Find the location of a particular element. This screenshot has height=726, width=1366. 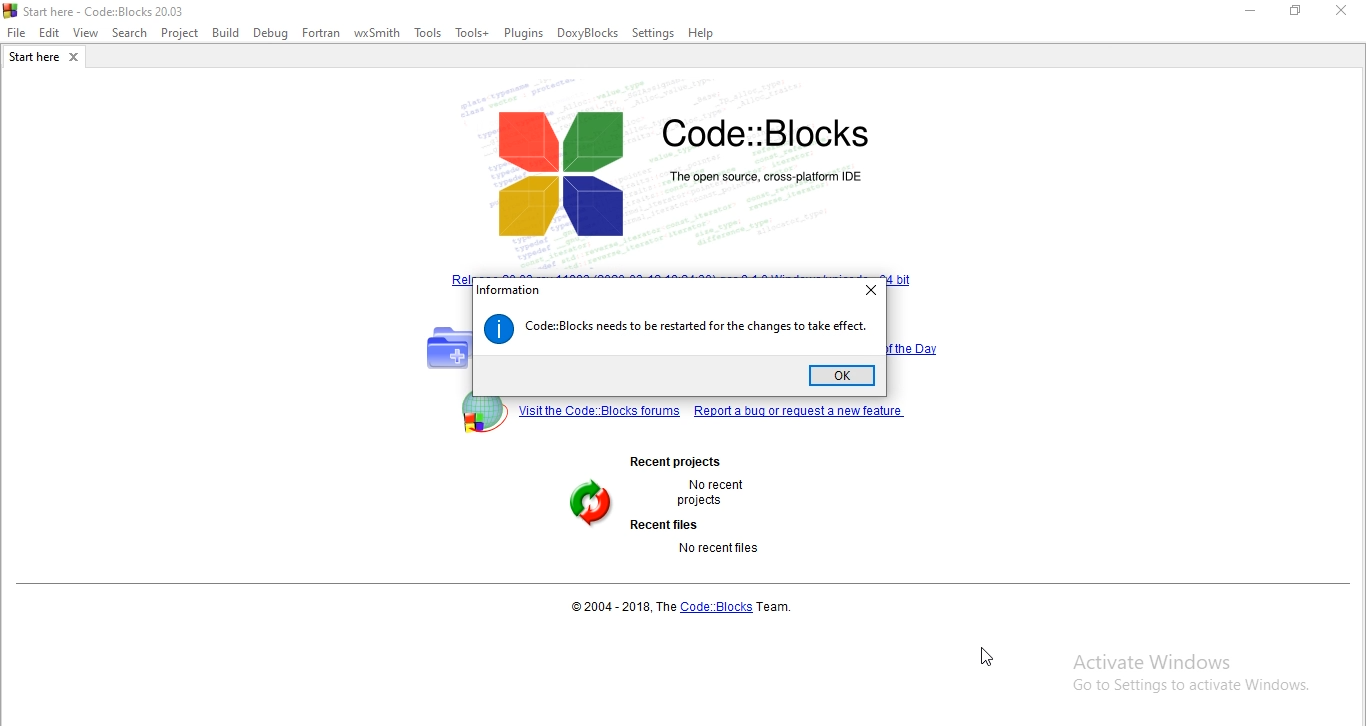

start here - Code :: Blocks 20.03 is located at coordinates (103, 11).